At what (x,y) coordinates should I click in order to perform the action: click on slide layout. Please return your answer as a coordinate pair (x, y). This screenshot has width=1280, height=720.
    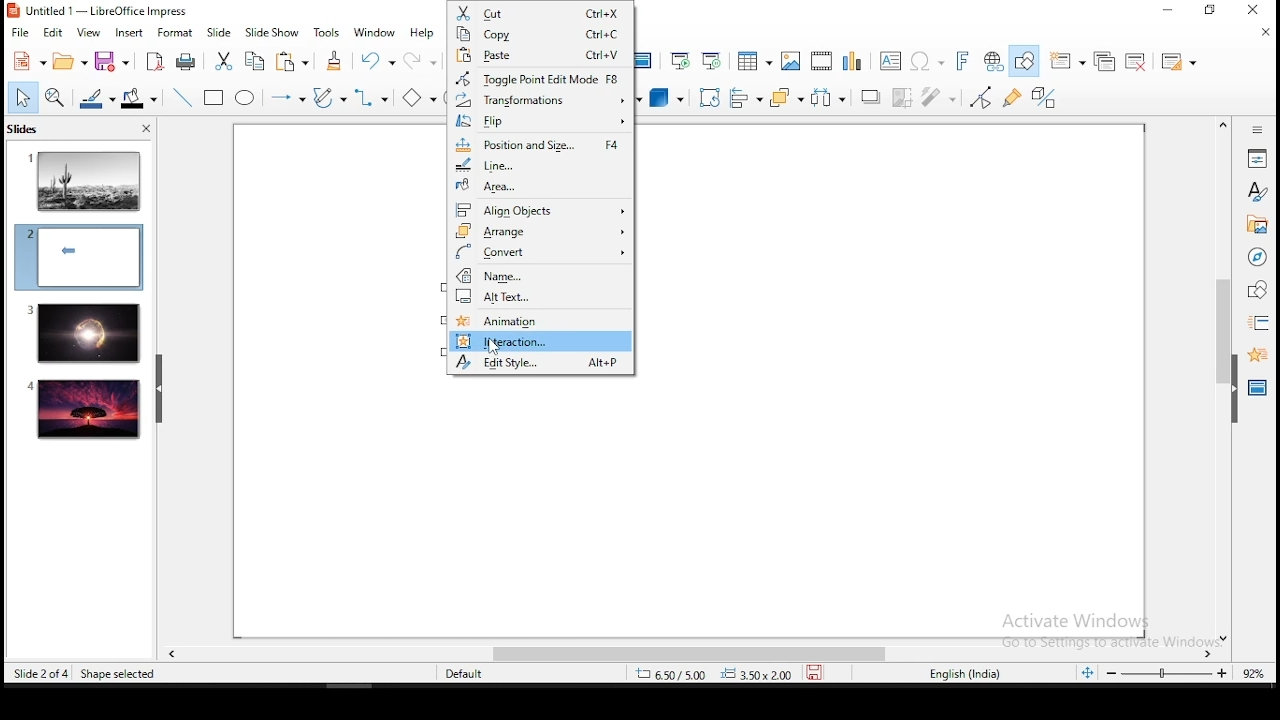
    Looking at the image, I should click on (1176, 62).